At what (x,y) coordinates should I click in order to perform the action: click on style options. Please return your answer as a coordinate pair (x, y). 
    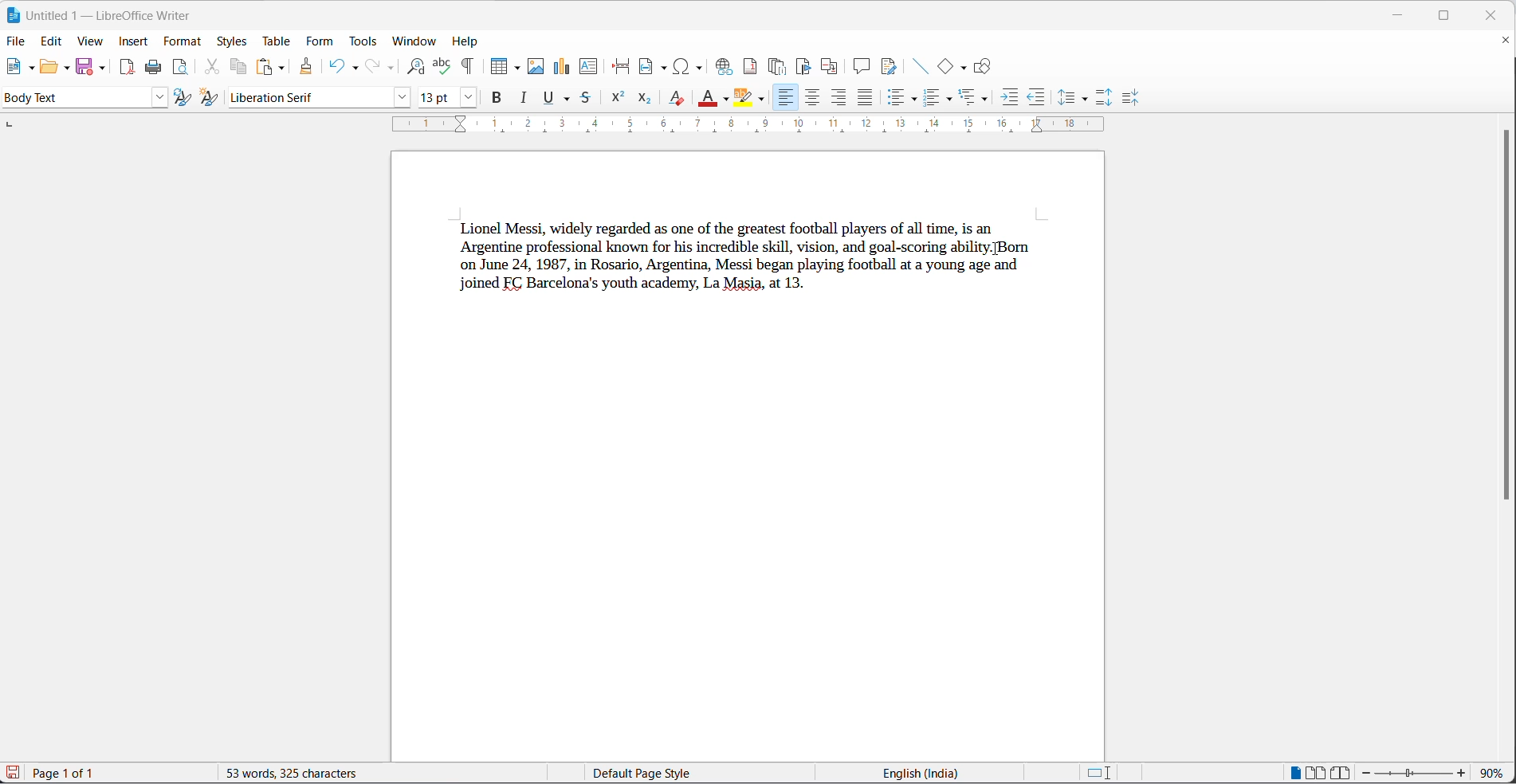
    Looking at the image, I should click on (73, 99).